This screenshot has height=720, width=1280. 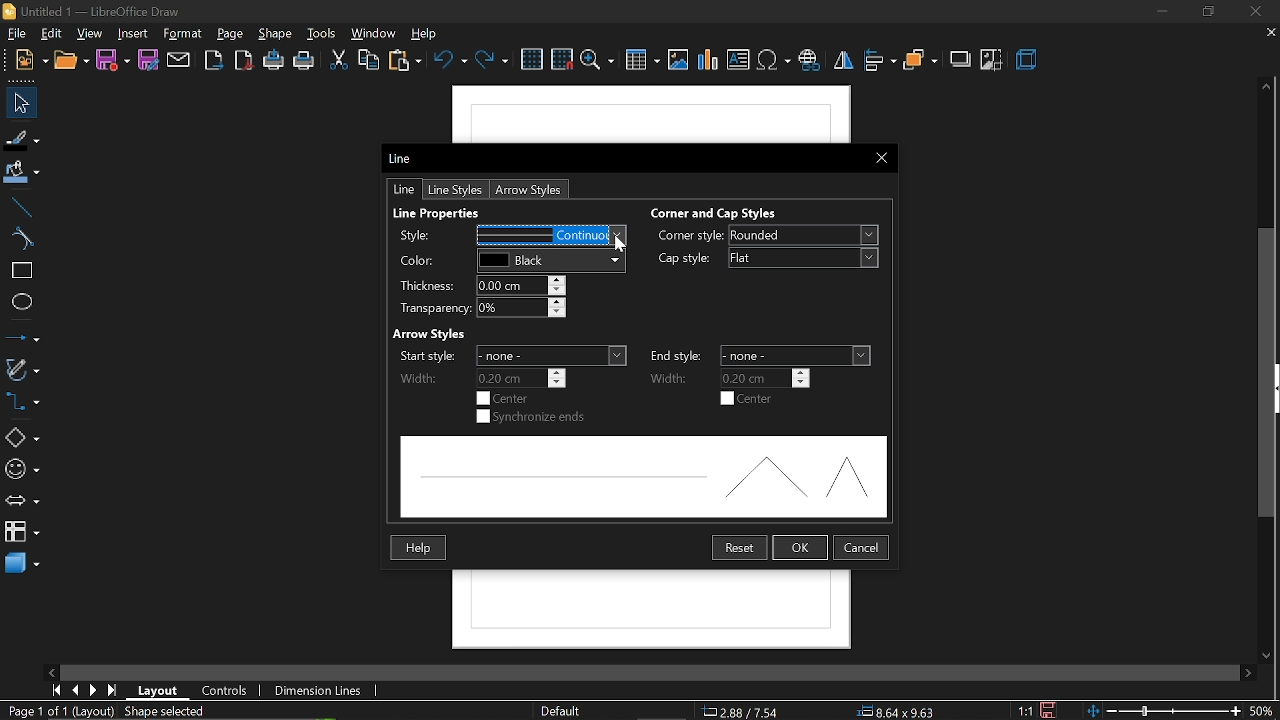 What do you see at coordinates (800, 547) in the screenshot?
I see `ok` at bounding box center [800, 547].